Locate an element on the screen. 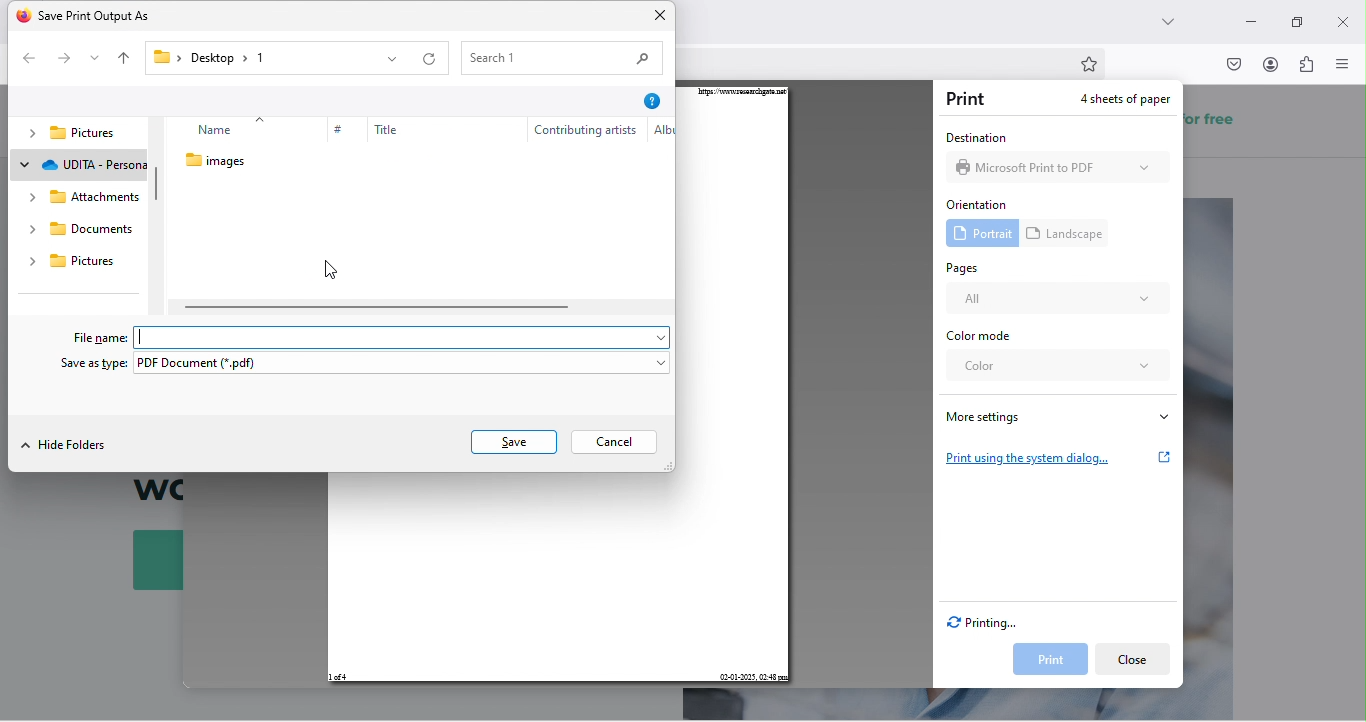 The width and height of the screenshot is (1366, 722). pages is located at coordinates (969, 268).